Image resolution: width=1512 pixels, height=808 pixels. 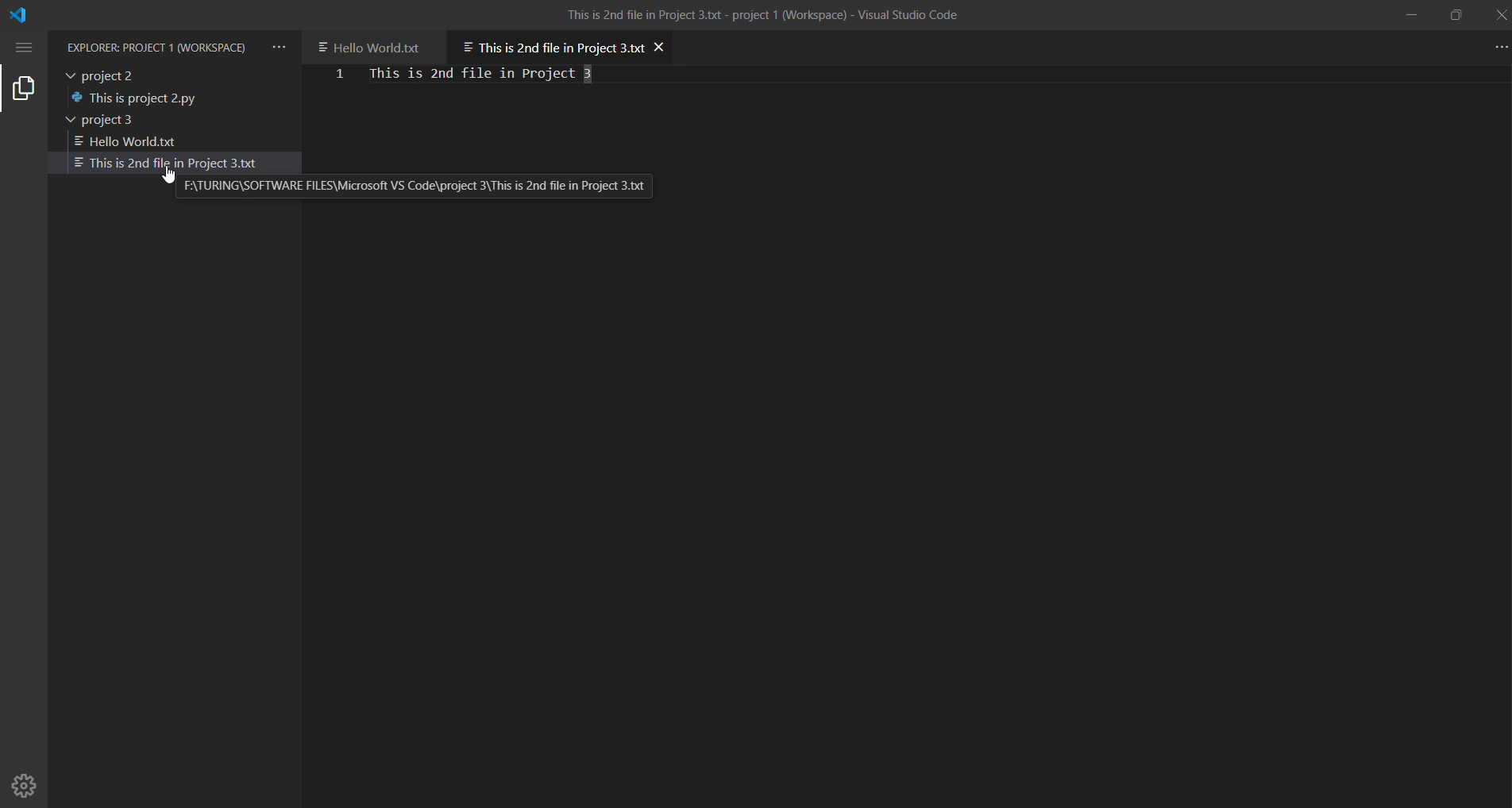 I want to click on project 2, so click(x=165, y=76).